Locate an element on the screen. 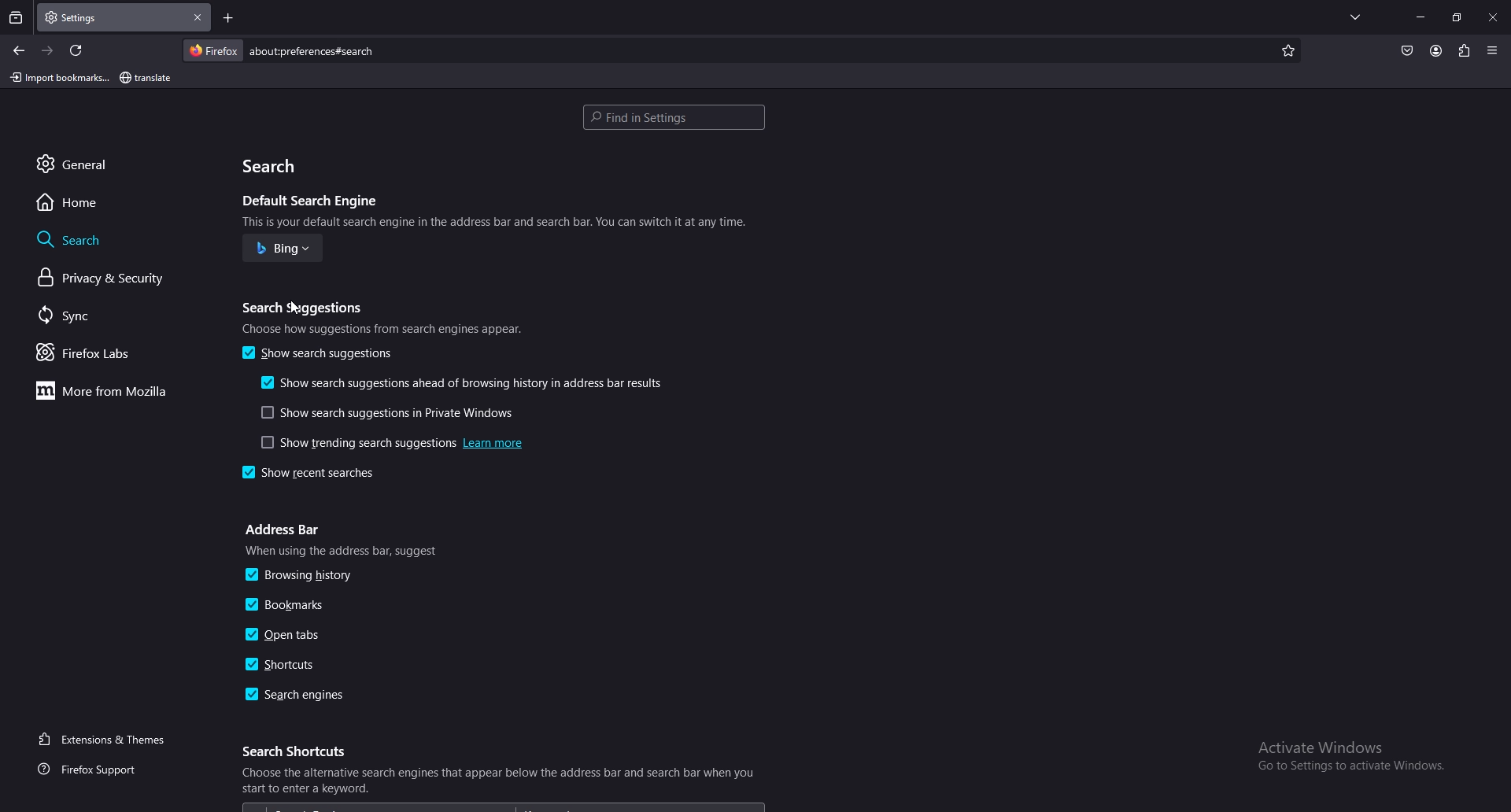 The height and width of the screenshot is (812, 1511). bookmarks is located at coordinates (301, 605).